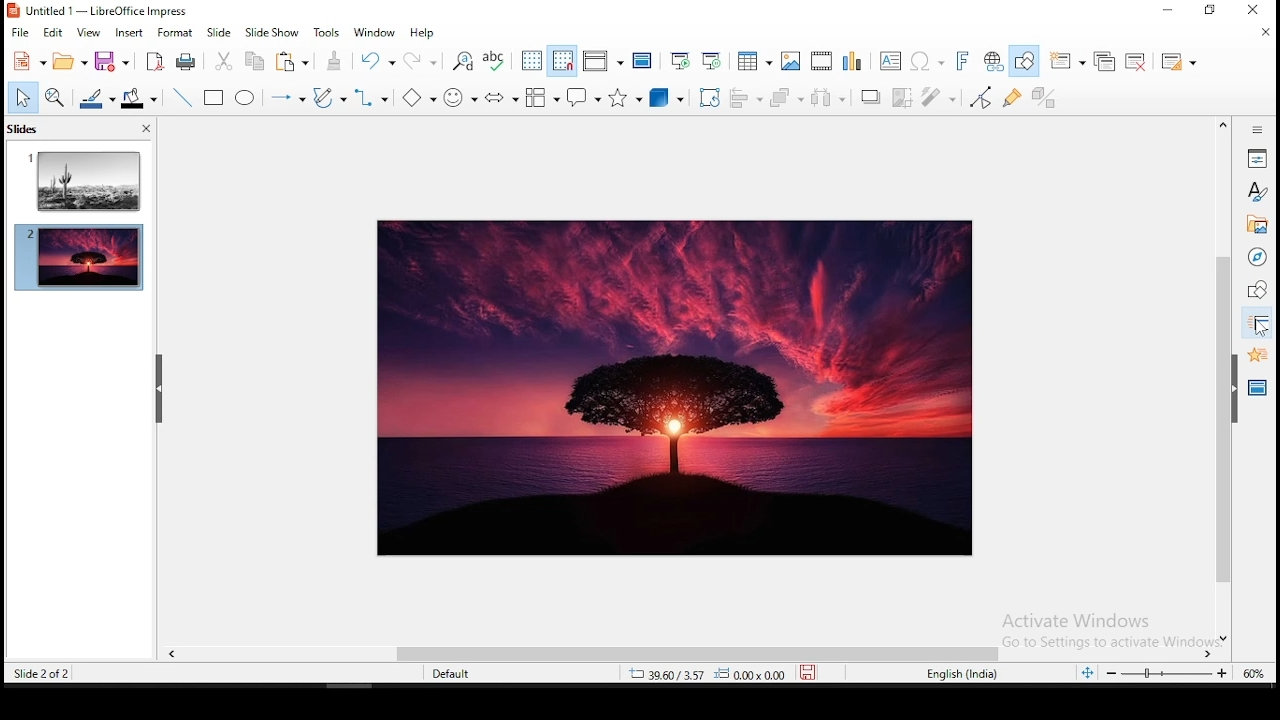  What do you see at coordinates (665, 97) in the screenshot?
I see `3D objects` at bounding box center [665, 97].